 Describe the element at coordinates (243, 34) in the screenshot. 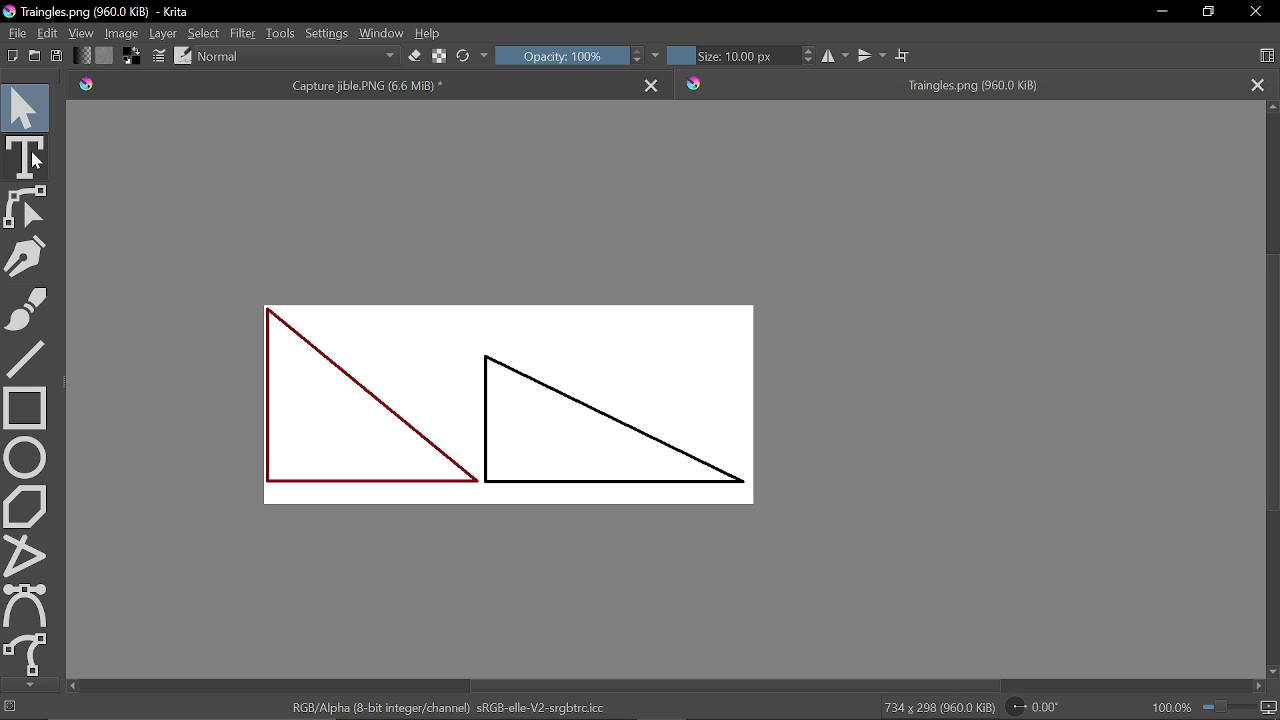

I see `Filter` at that location.